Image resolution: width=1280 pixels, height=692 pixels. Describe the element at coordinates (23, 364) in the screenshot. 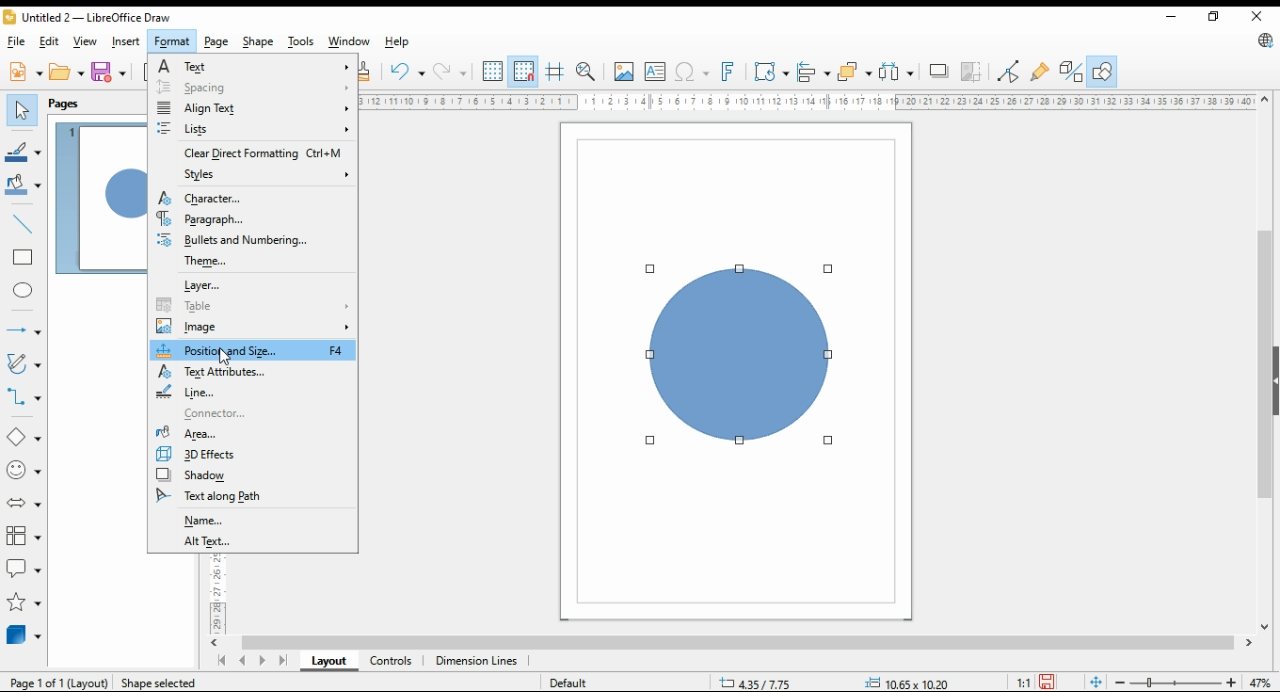

I see `curves and polygons` at that location.